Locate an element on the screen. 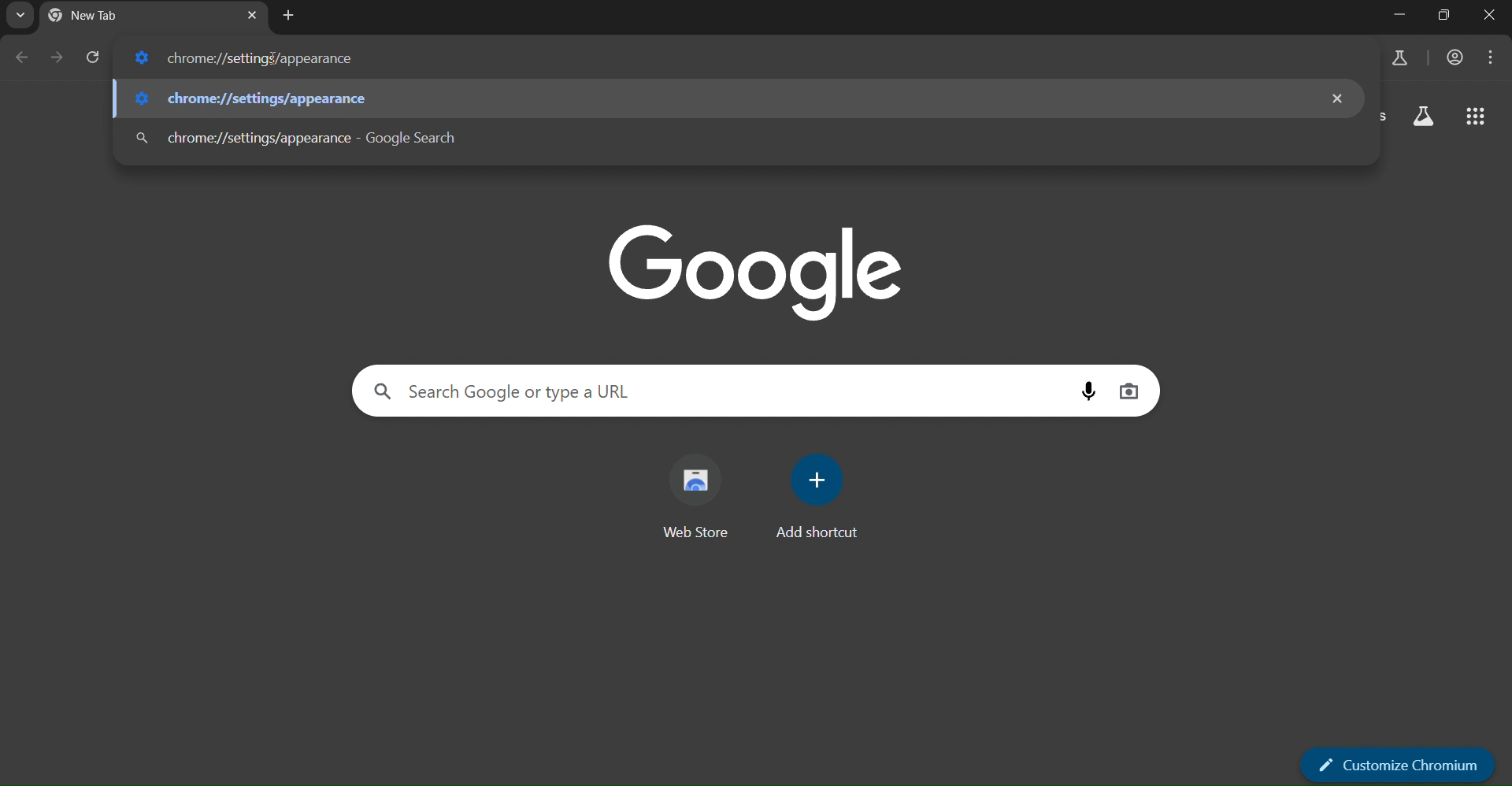  go forward one page is located at coordinates (55, 58).